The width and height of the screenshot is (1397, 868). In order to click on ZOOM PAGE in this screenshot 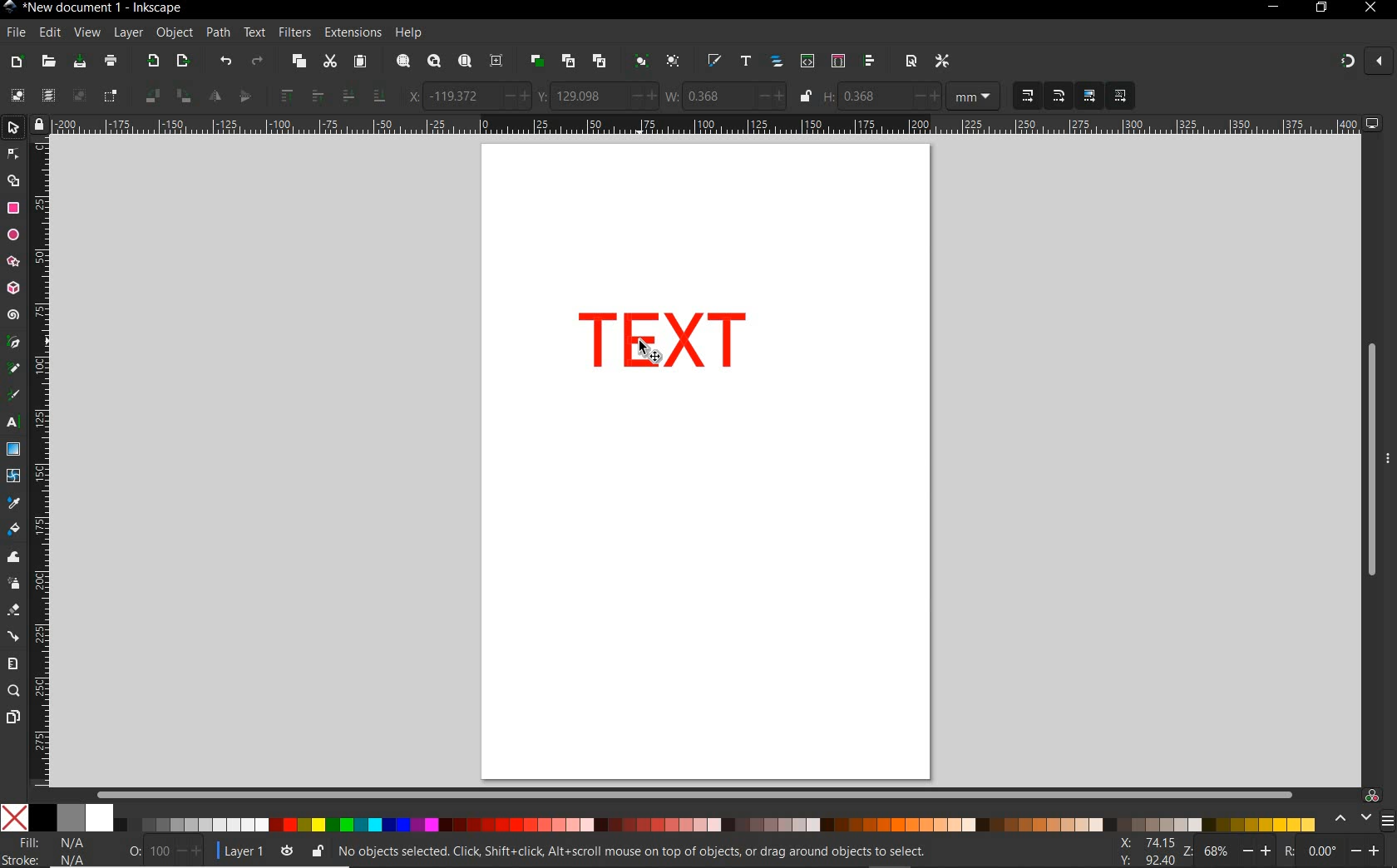, I will do `click(464, 62)`.